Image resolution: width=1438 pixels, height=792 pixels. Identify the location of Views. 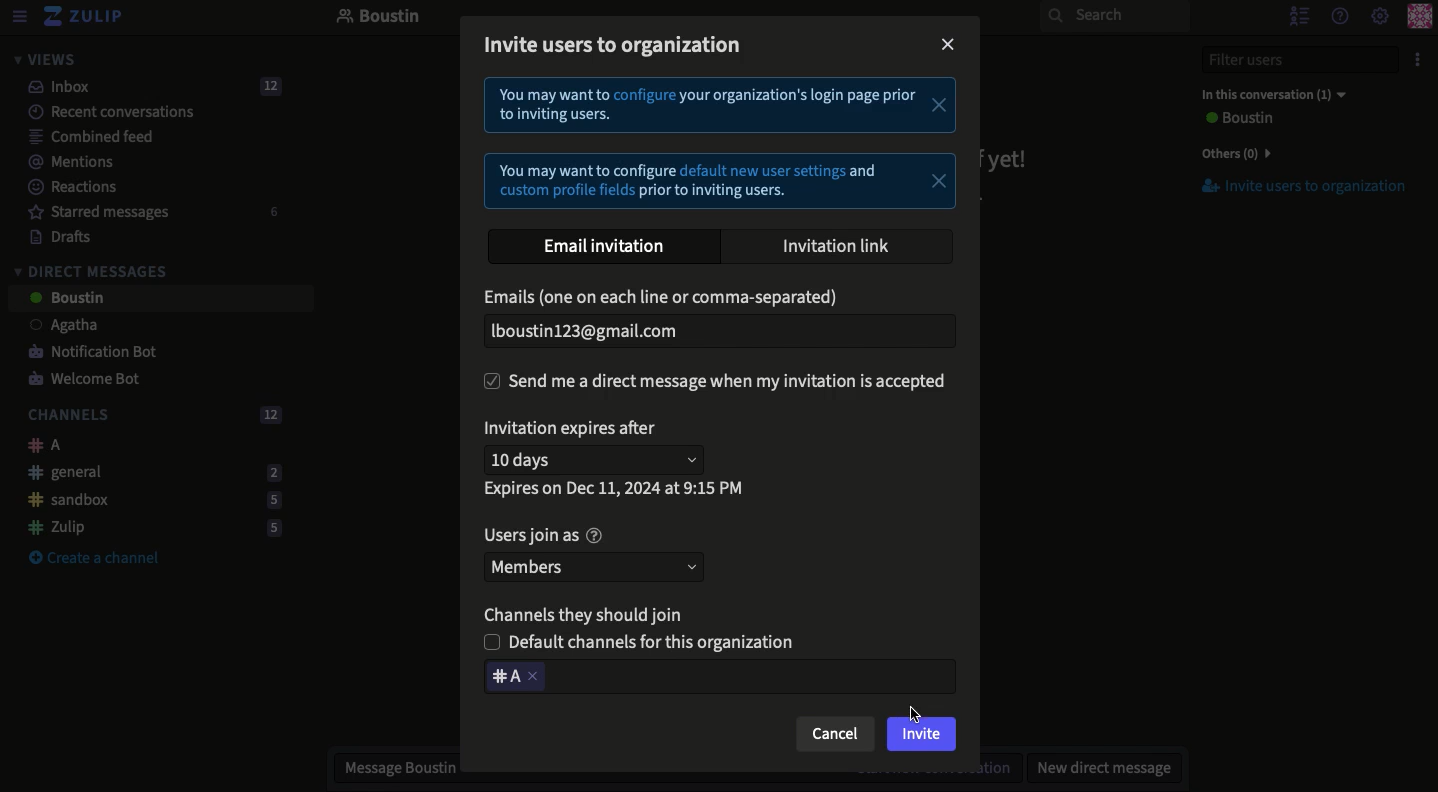
(44, 59).